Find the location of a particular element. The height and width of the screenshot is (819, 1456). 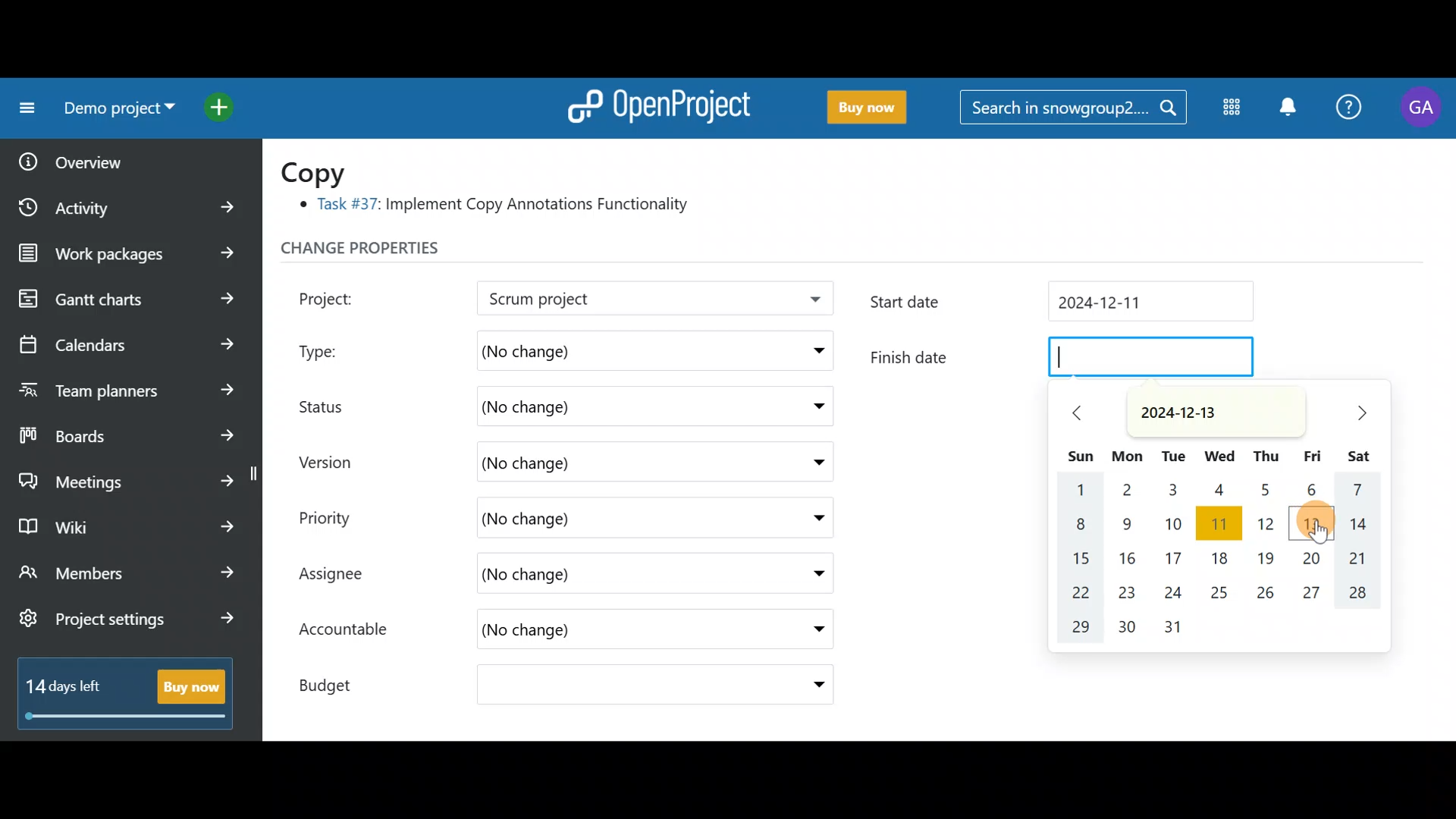

Notification centre is located at coordinates (1287, 108).